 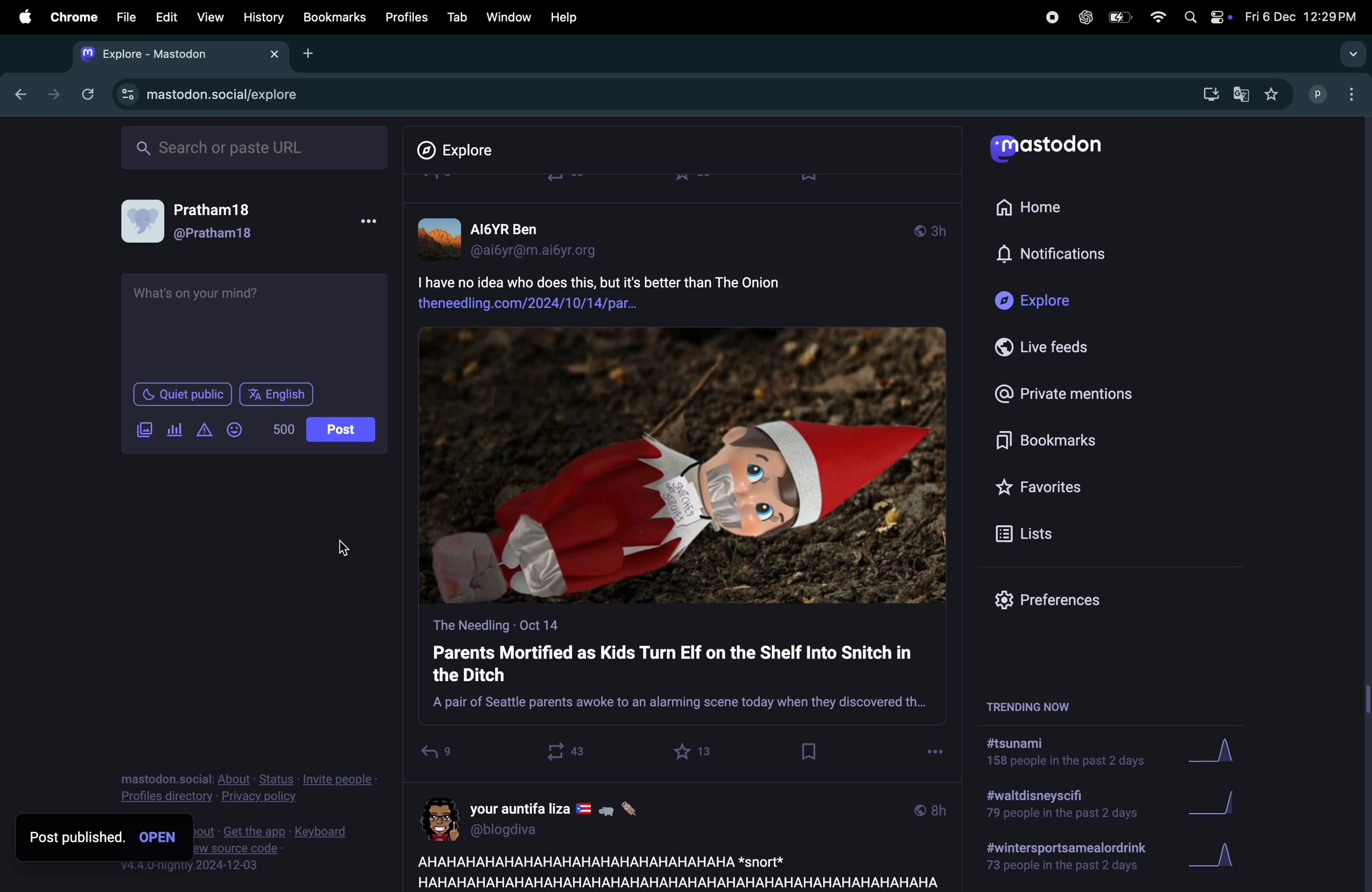 I want to click on #winter sport drink, so click(x=1063, y=859).